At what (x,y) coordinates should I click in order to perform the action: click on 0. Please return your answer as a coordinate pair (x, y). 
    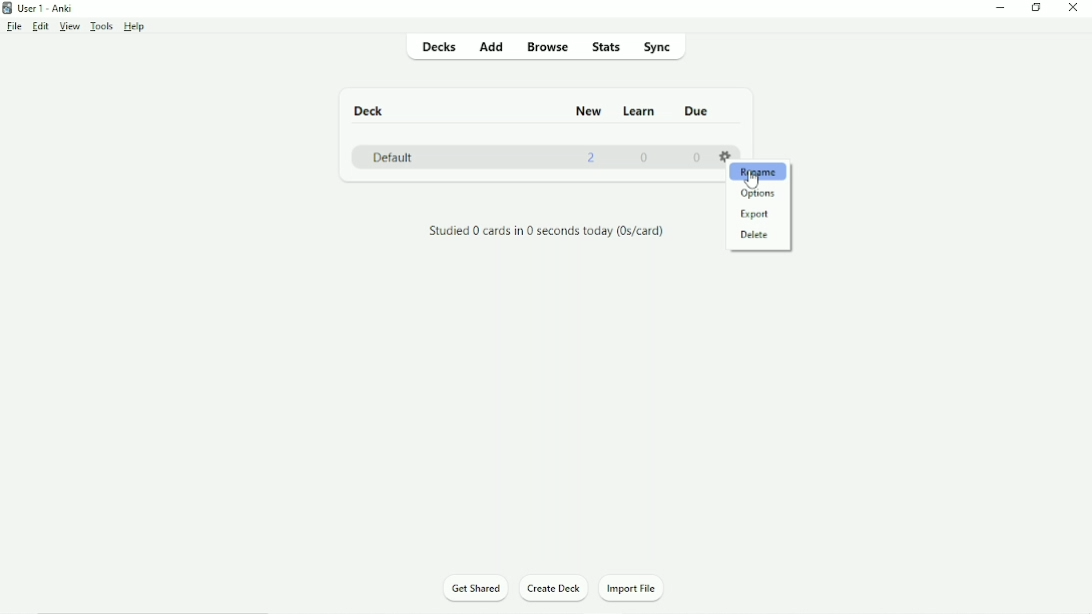
    Looking at the image, I should click on (646, 158).